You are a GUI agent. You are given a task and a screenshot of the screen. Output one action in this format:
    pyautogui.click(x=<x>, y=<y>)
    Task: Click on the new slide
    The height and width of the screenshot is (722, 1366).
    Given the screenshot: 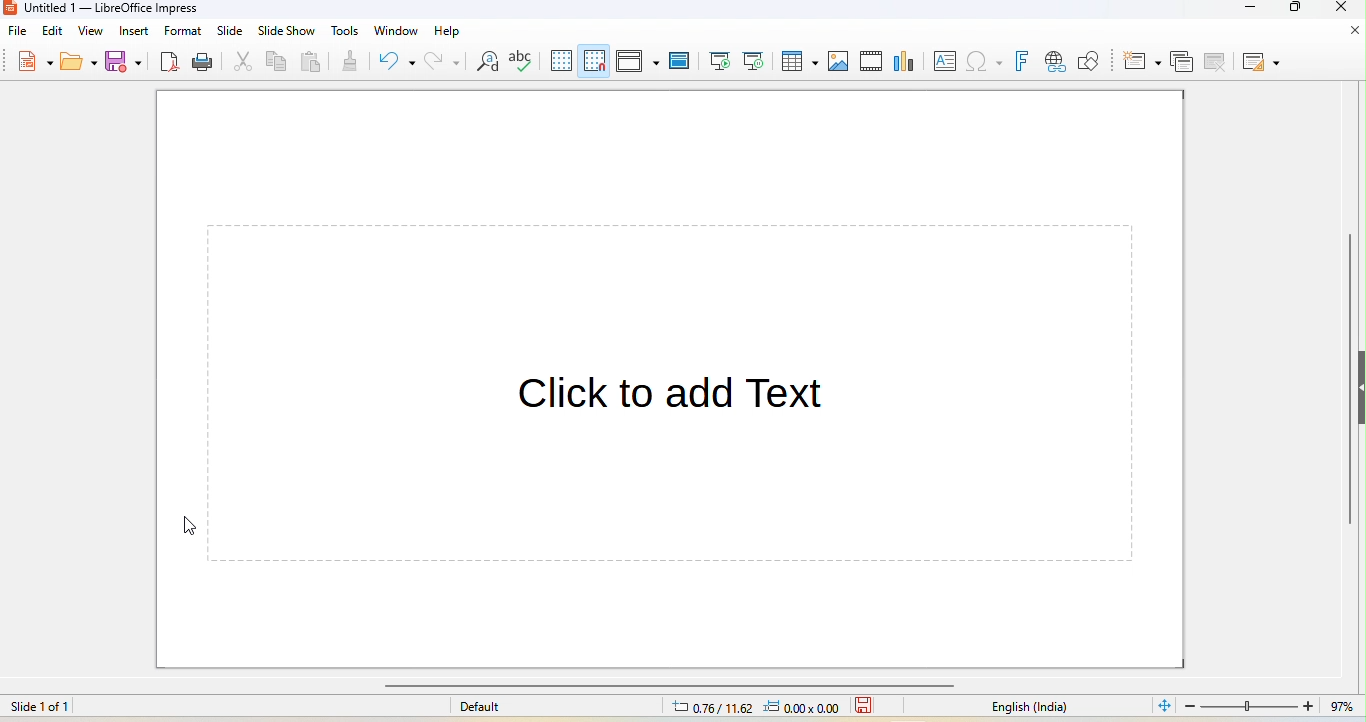 What is the action you would take?
    pyautogui.click(x=1144, y=61)
    